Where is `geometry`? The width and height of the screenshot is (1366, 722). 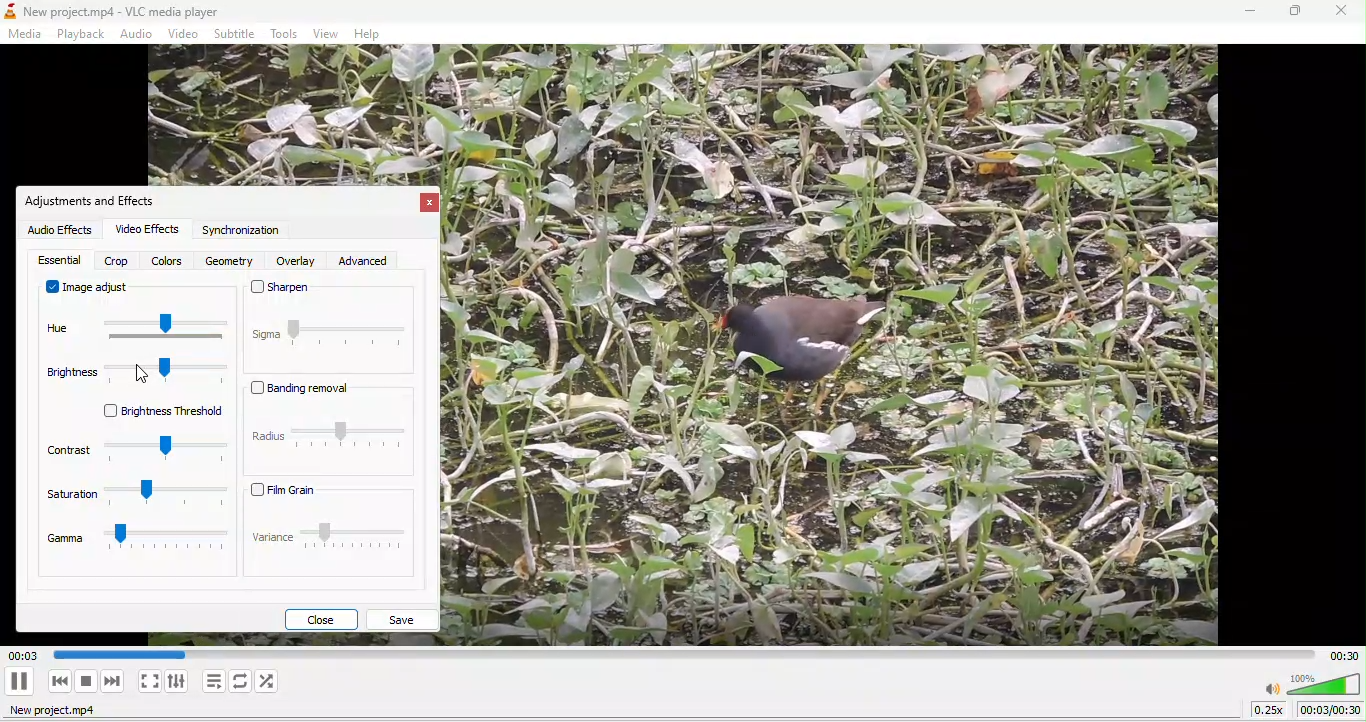
geometry is located at coordinates (226, 262).